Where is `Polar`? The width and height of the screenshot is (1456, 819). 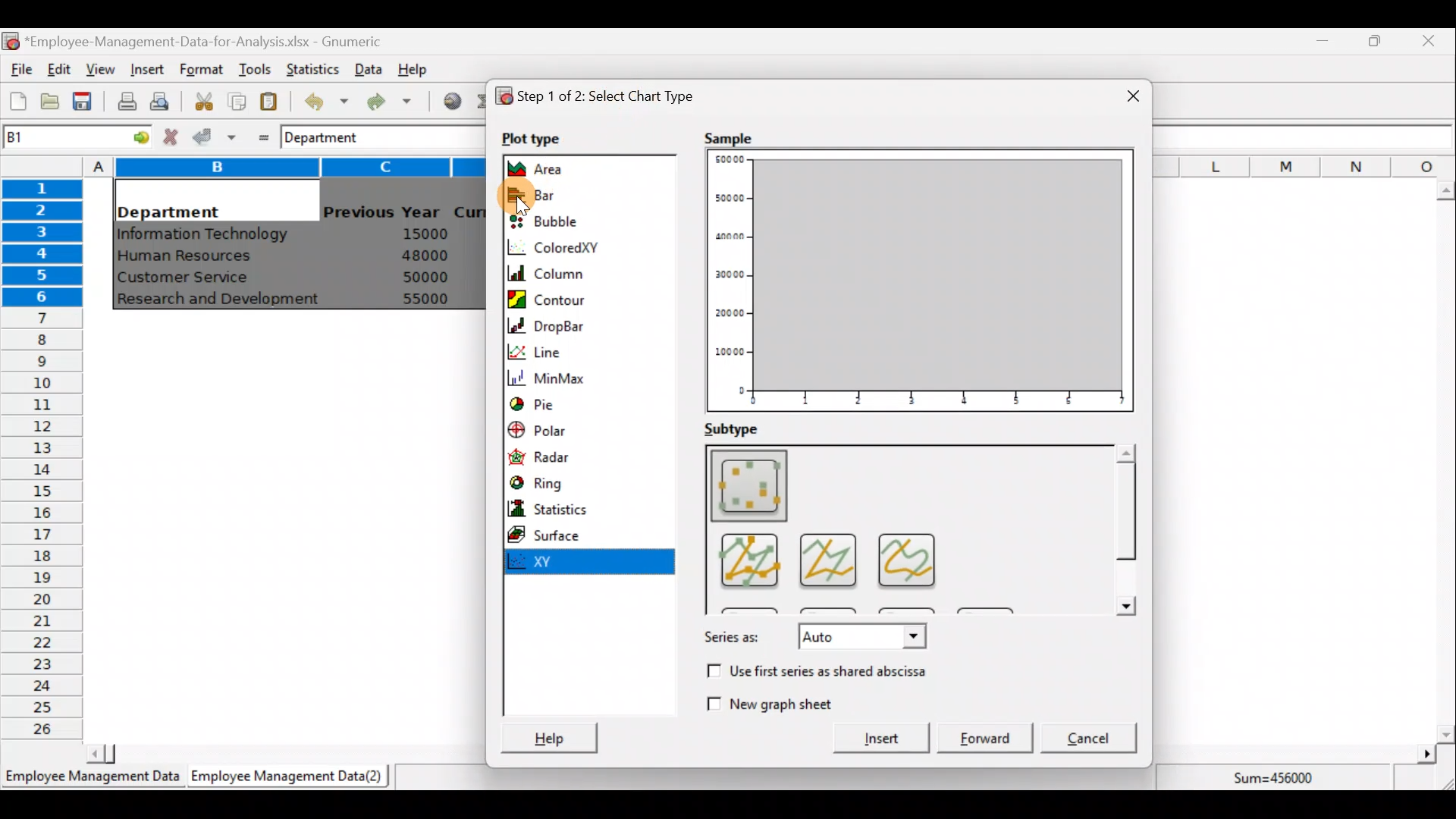 Polar is located at coordinates (571, 433).